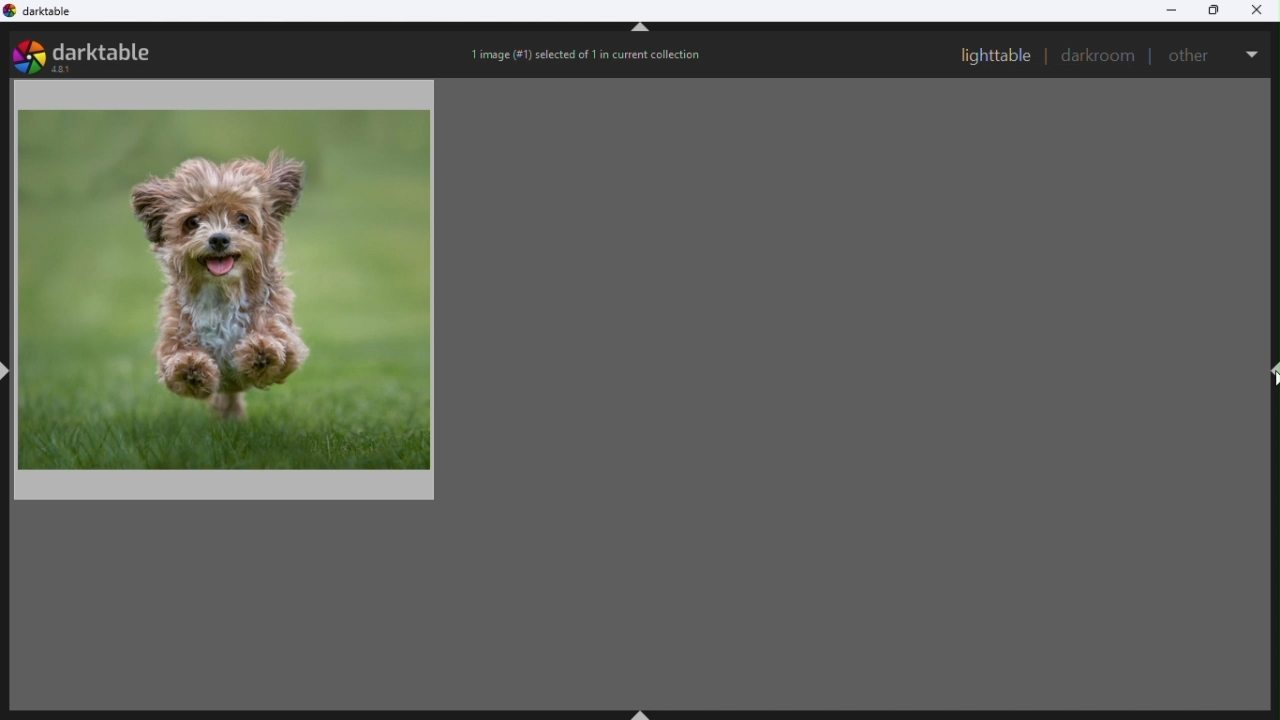  What do you see at coordinates (1216, 12) in the screenshot?
I see `Restore` at bounding box center [1216, 12].